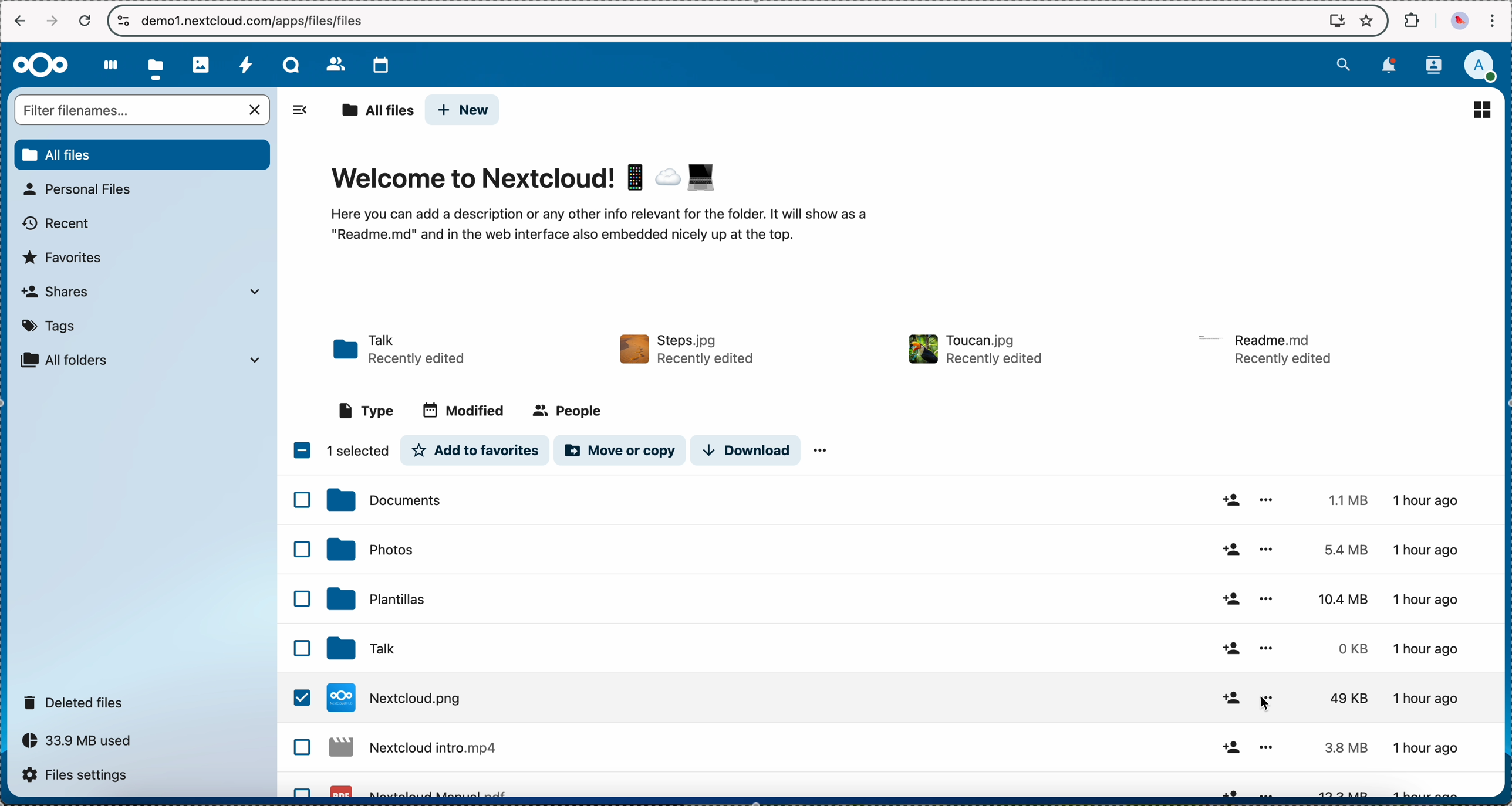 The width and height of the screenshot is (1512, 806). I want to click on checkbox list, so click(301, 641).